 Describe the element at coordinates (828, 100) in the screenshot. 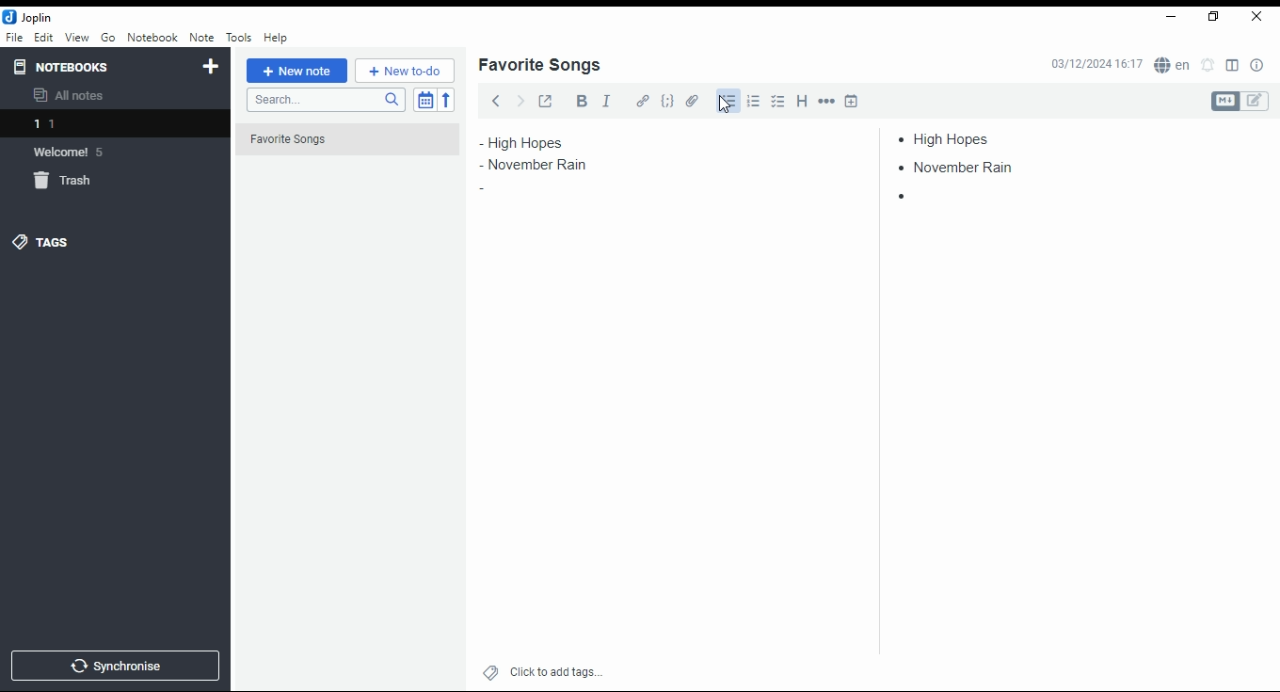

I see `horizontal rule` at that location.